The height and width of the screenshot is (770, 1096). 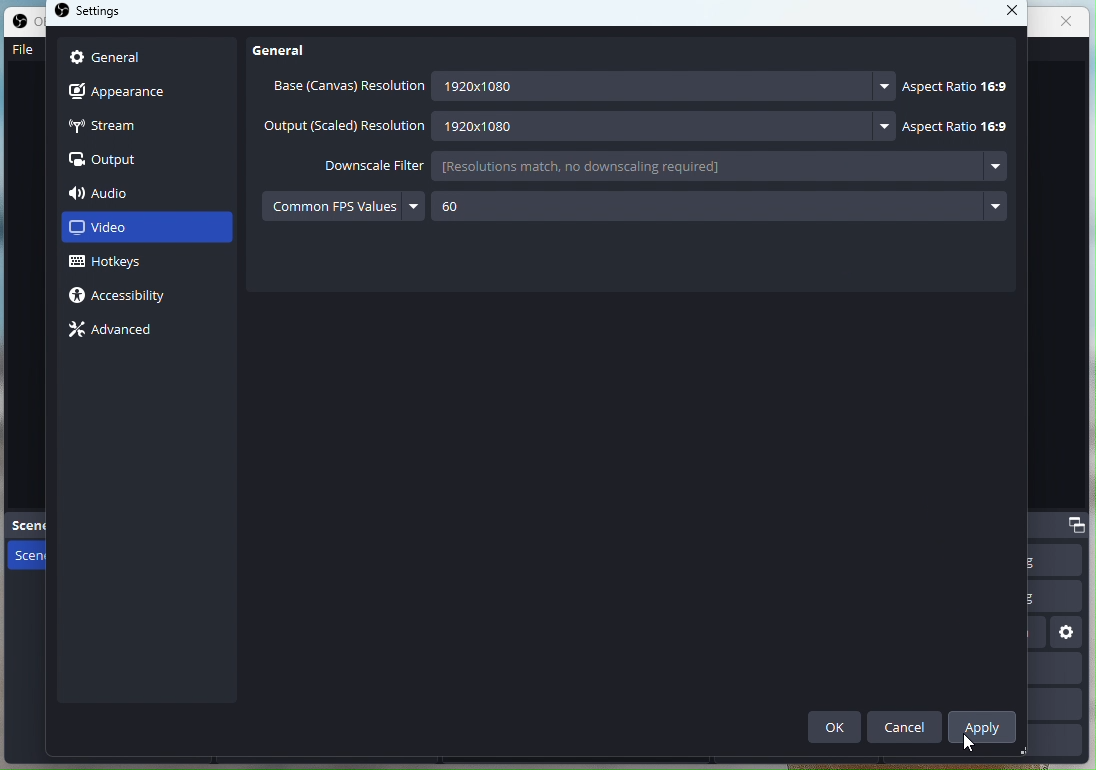 I want to click on Video, so click(x=146, y=230).